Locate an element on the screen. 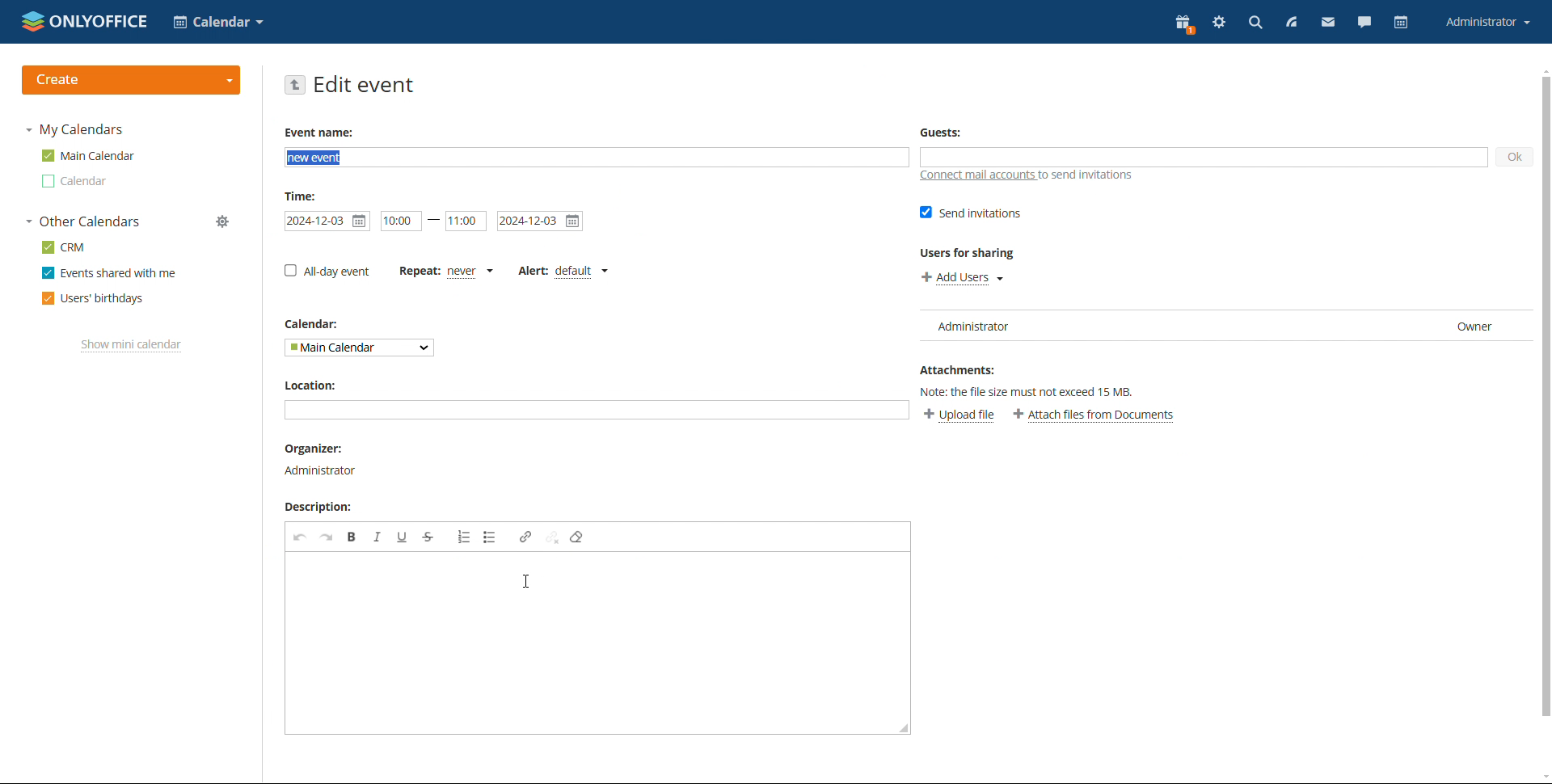 The width and height of the screenshot is (1552, 784). Note: the file size must not exceed 15 MB. is located at coordinates (1040, 392).